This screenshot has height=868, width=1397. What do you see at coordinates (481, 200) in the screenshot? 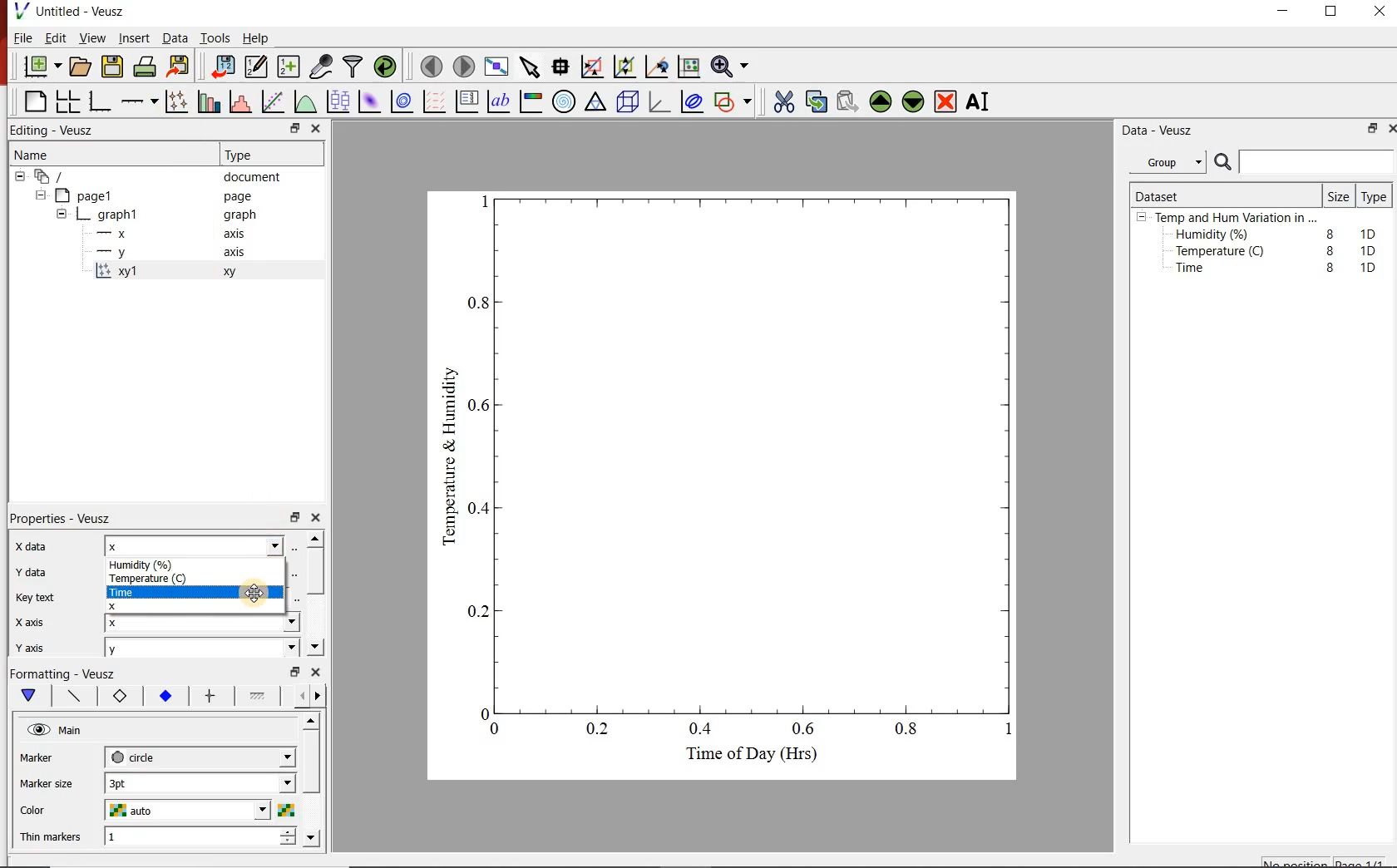
I see `1` at bounding box center [481, 200].